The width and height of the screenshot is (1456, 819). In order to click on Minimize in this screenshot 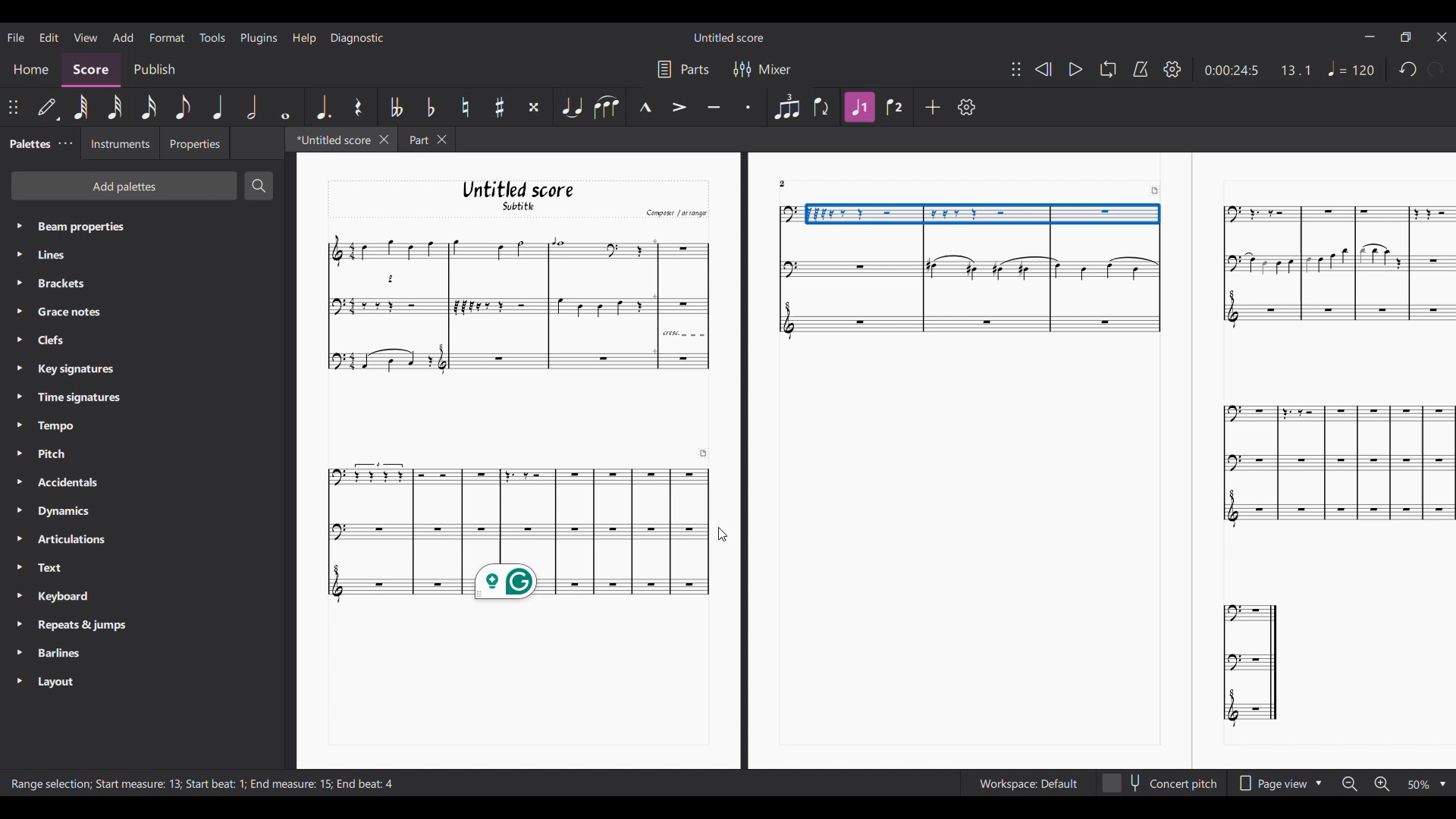, I will do `click(1370, 36)`.